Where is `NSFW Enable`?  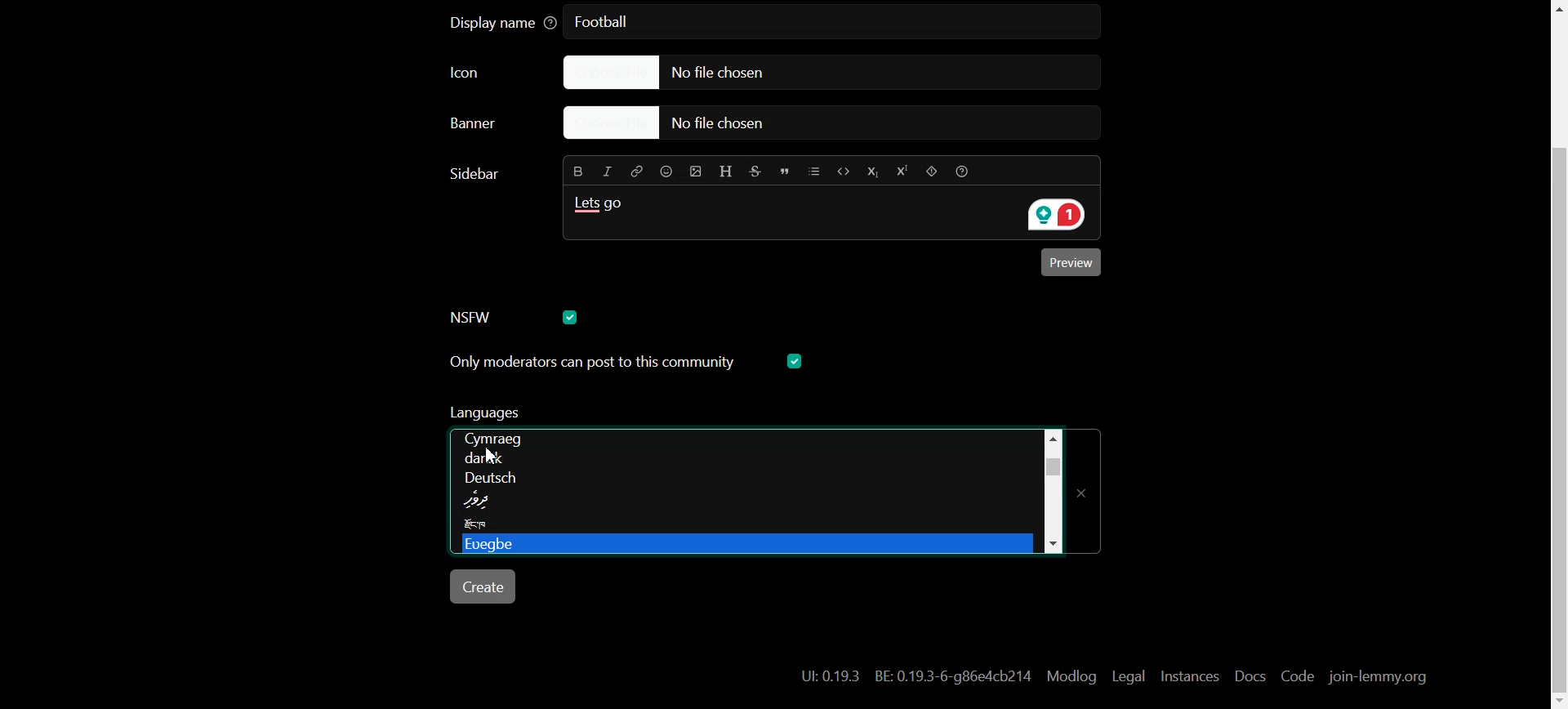
NSFW Enable is located at coordinates (485, 317).